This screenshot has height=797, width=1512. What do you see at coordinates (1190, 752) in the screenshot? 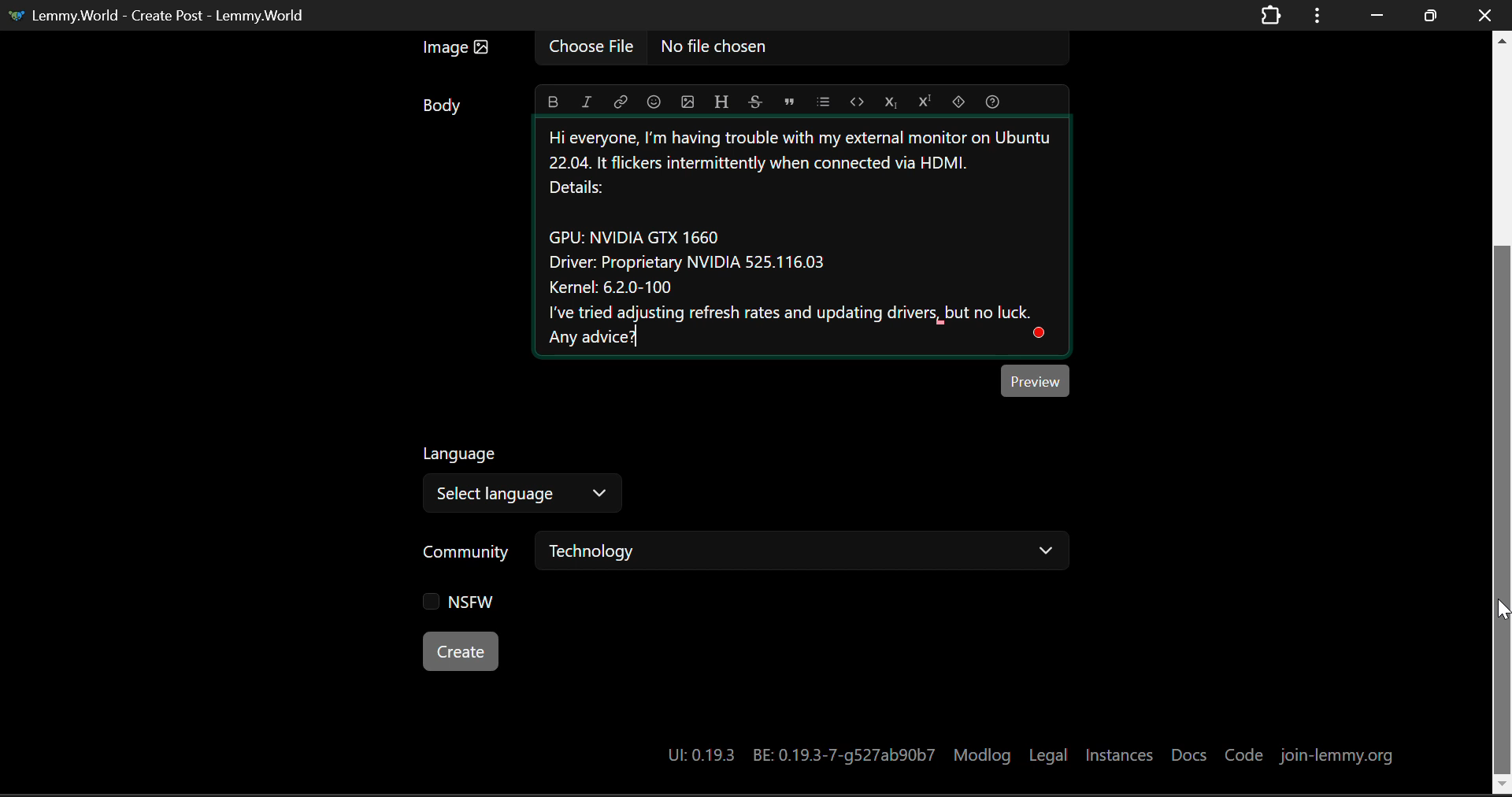
I see `Docs` at bounding box center [1190, 752].